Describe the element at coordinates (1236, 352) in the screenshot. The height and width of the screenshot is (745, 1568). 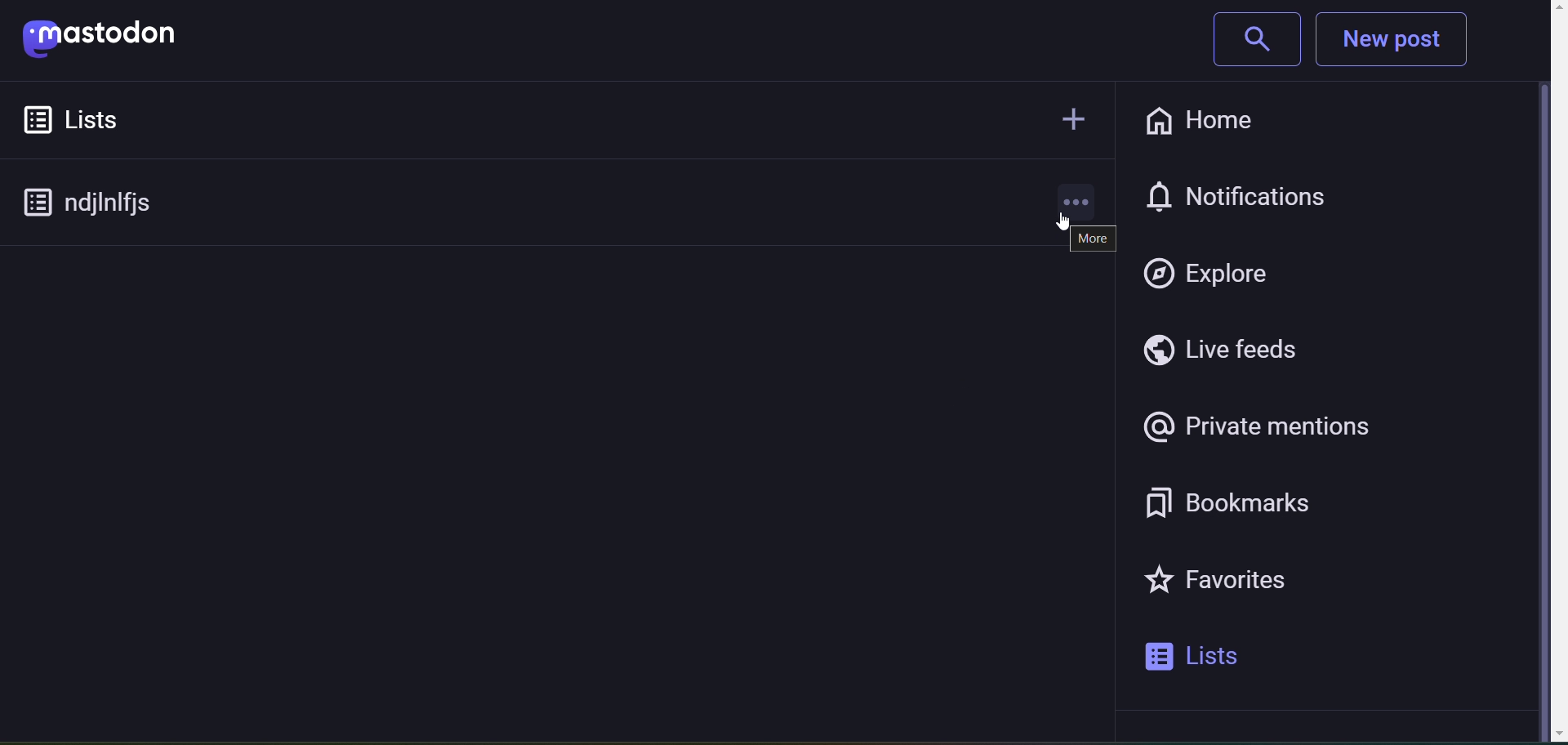
I see `live feeds` at that location.